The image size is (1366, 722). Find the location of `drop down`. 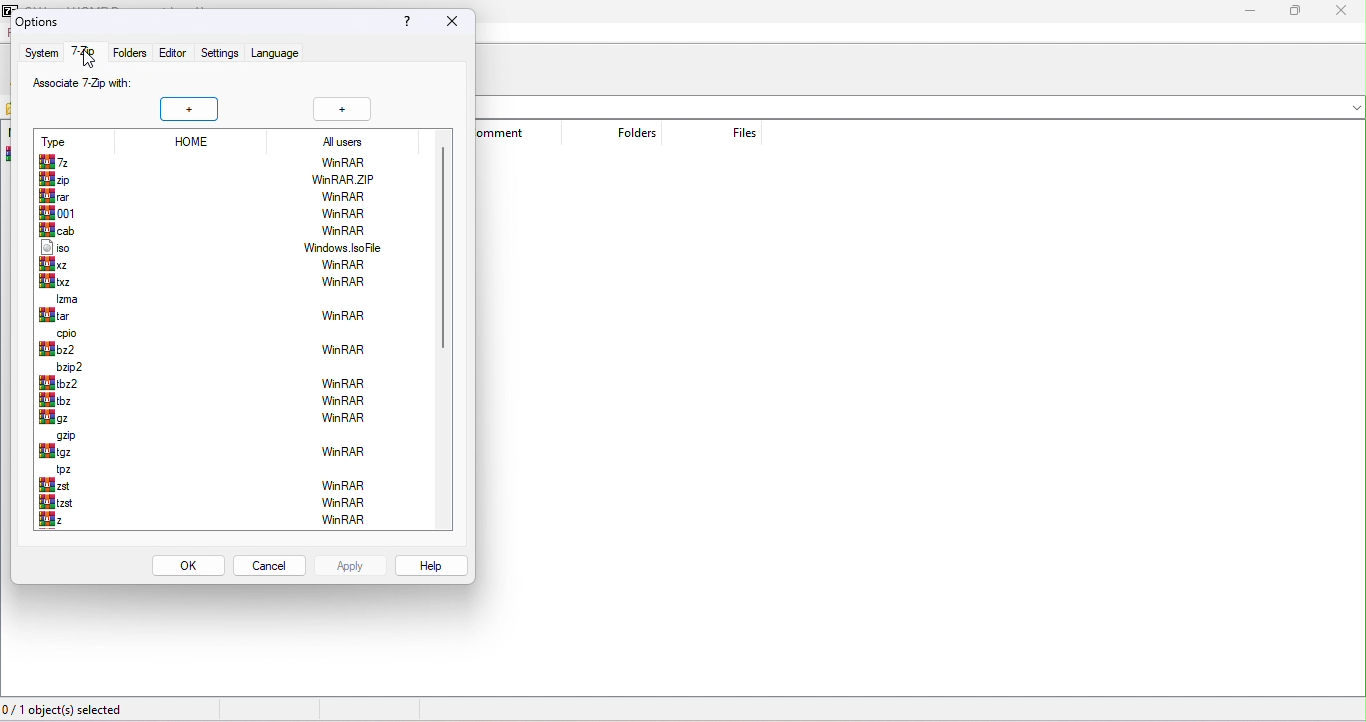

drop down is located at coordinates (1351, 107).